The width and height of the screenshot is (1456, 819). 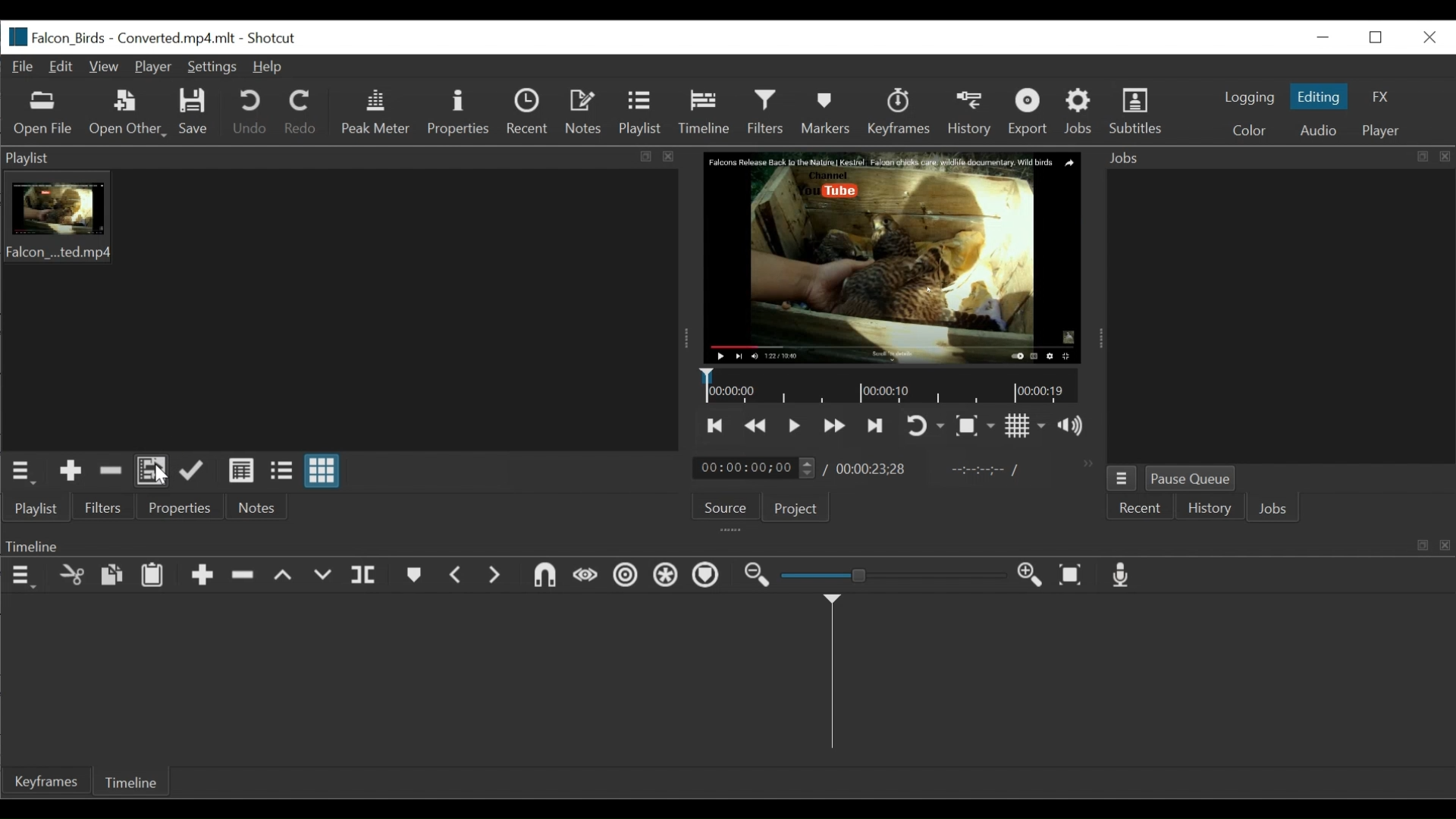 What do you see at coordinates (249, 112) in the screenshot?
I see `Undo` at bounding box center [249, 112].